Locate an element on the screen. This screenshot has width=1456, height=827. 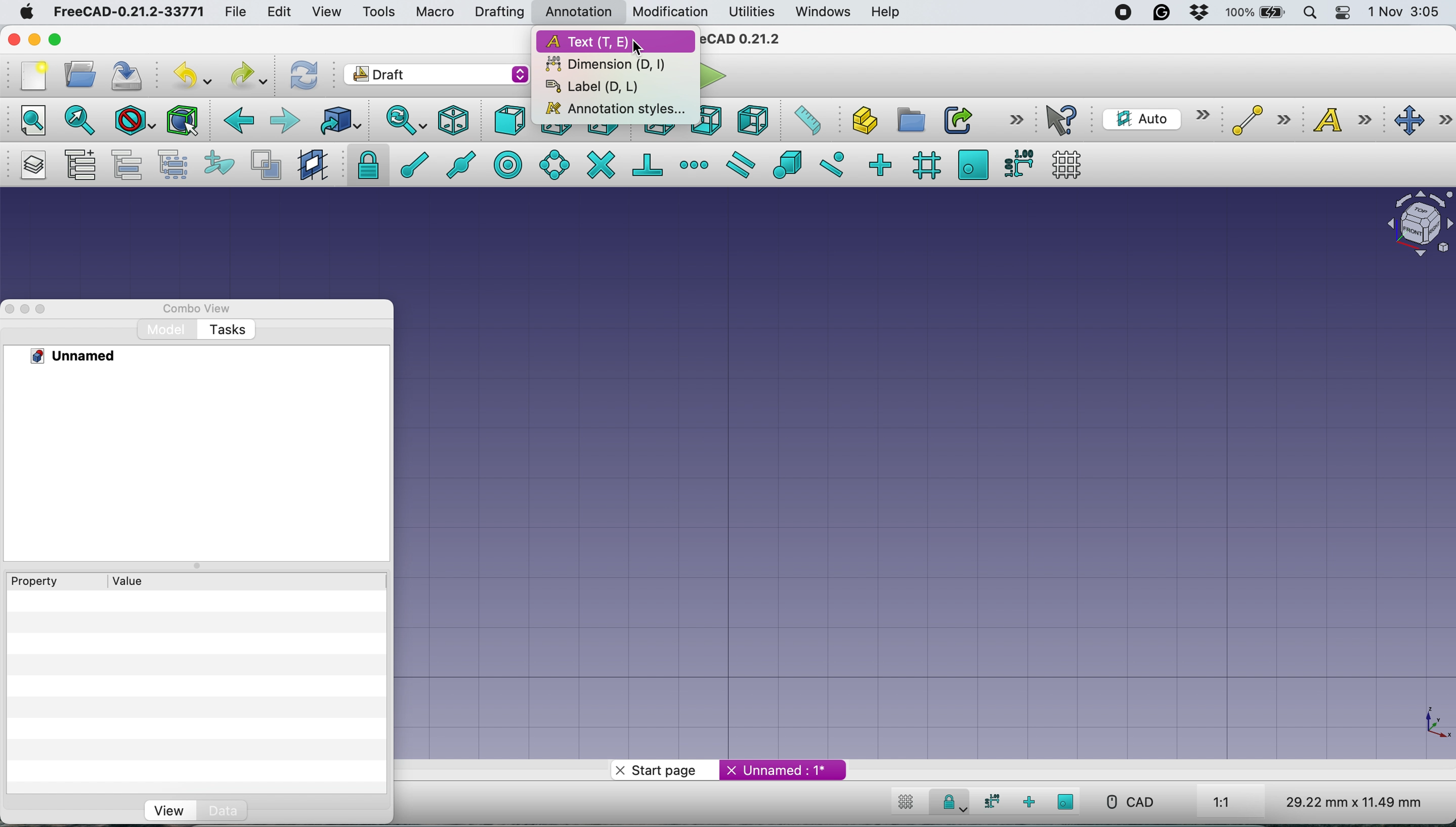
backward is located at coordinates (233, 120).